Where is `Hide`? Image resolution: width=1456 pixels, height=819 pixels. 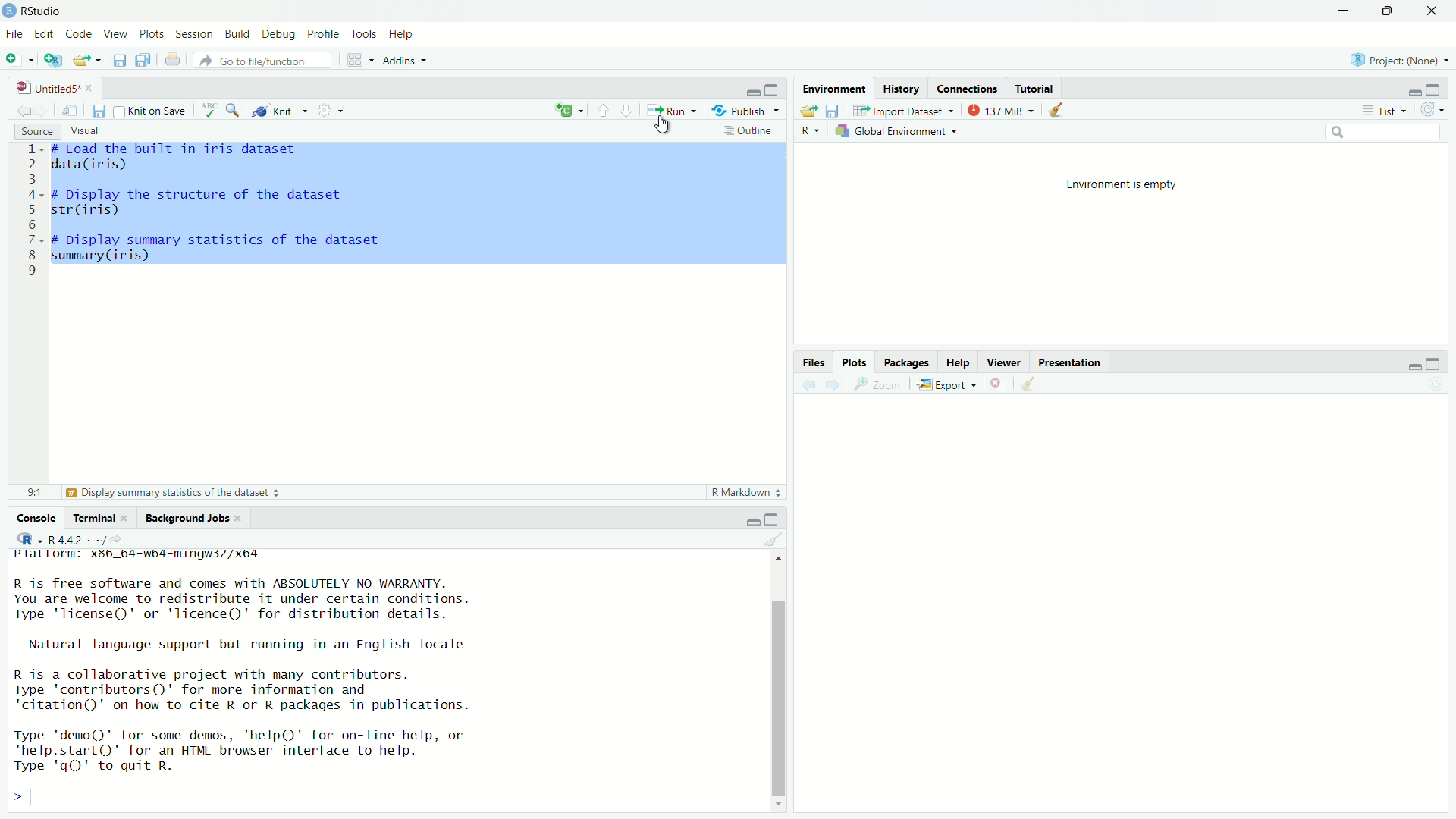
Hide is located at coordinates (750, 519).